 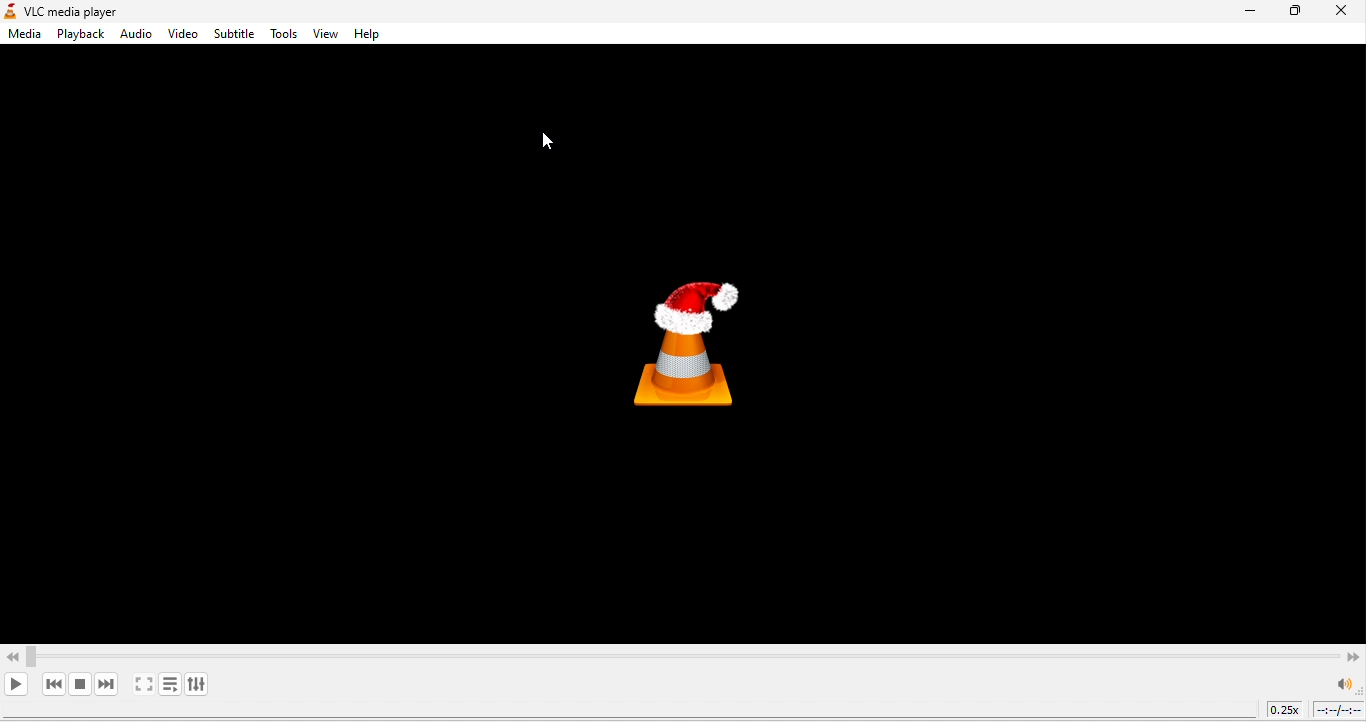 What do you see at coordinates (1301, 683) in the screenshot?
I see `volume` at bounding box center [1301, 683].